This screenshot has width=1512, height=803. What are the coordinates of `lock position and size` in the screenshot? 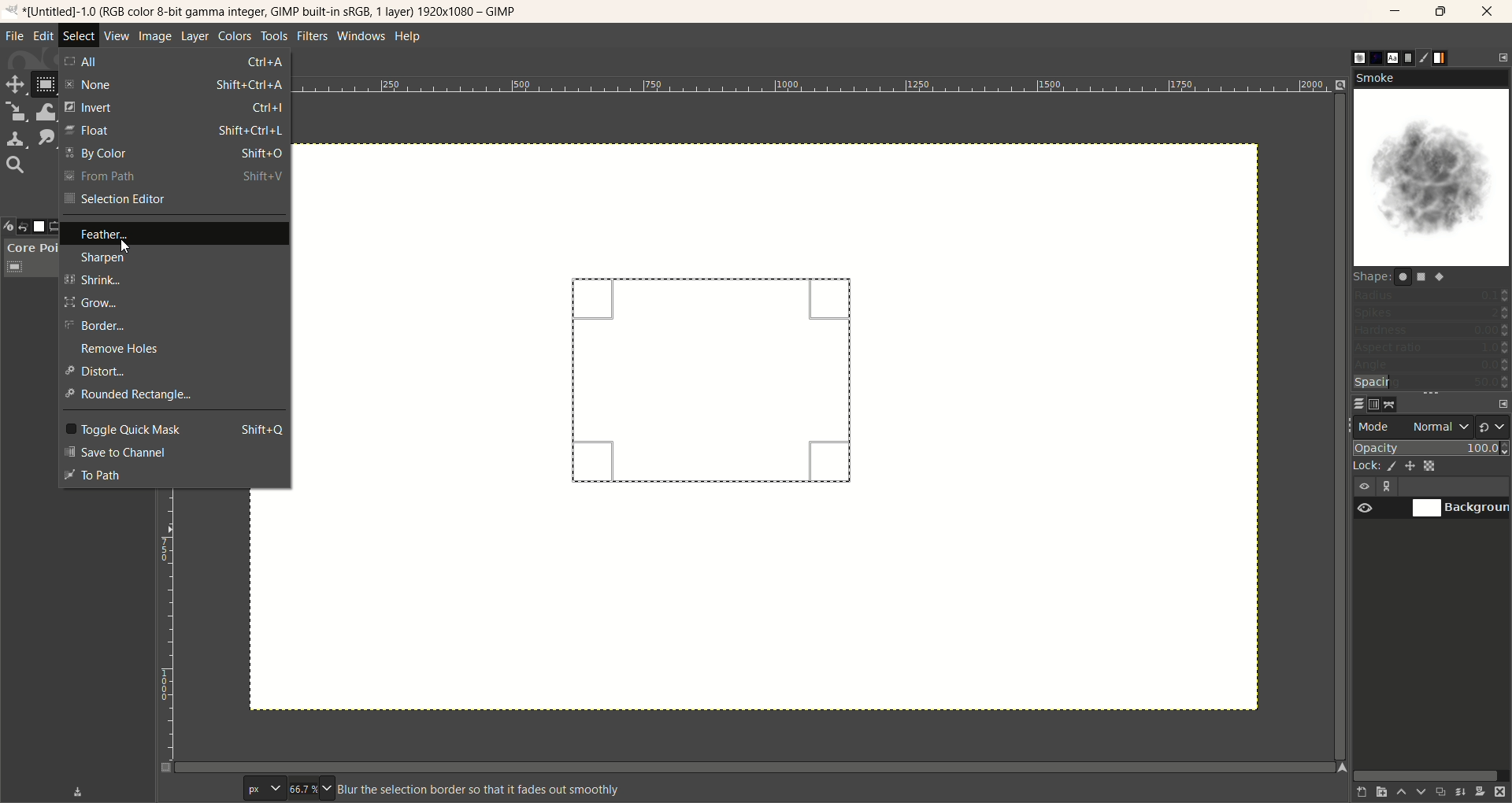 It's located at (1408, 465).